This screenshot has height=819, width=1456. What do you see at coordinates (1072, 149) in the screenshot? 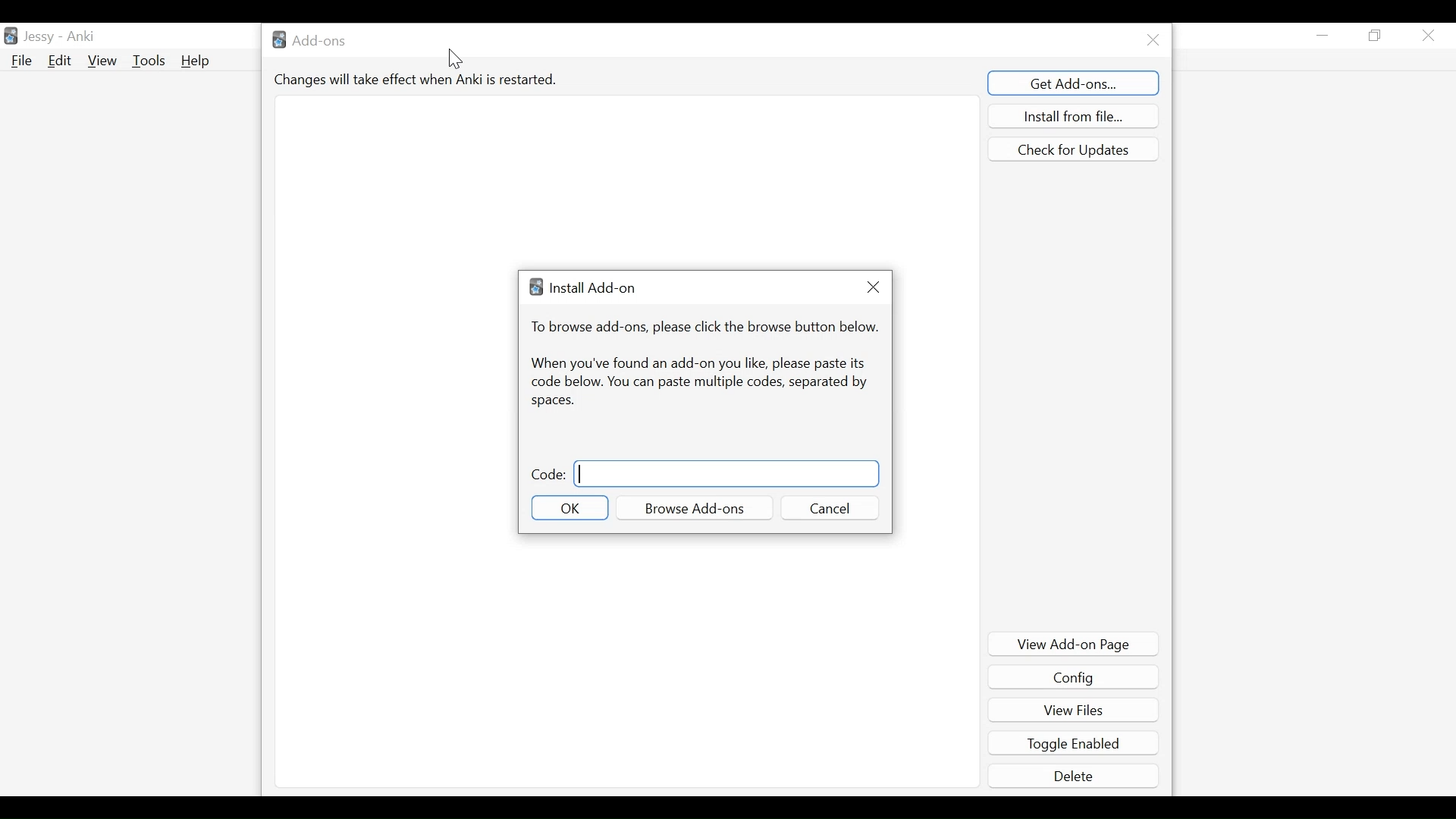
I see `Check for updates` at bounding box center [1072, 149].